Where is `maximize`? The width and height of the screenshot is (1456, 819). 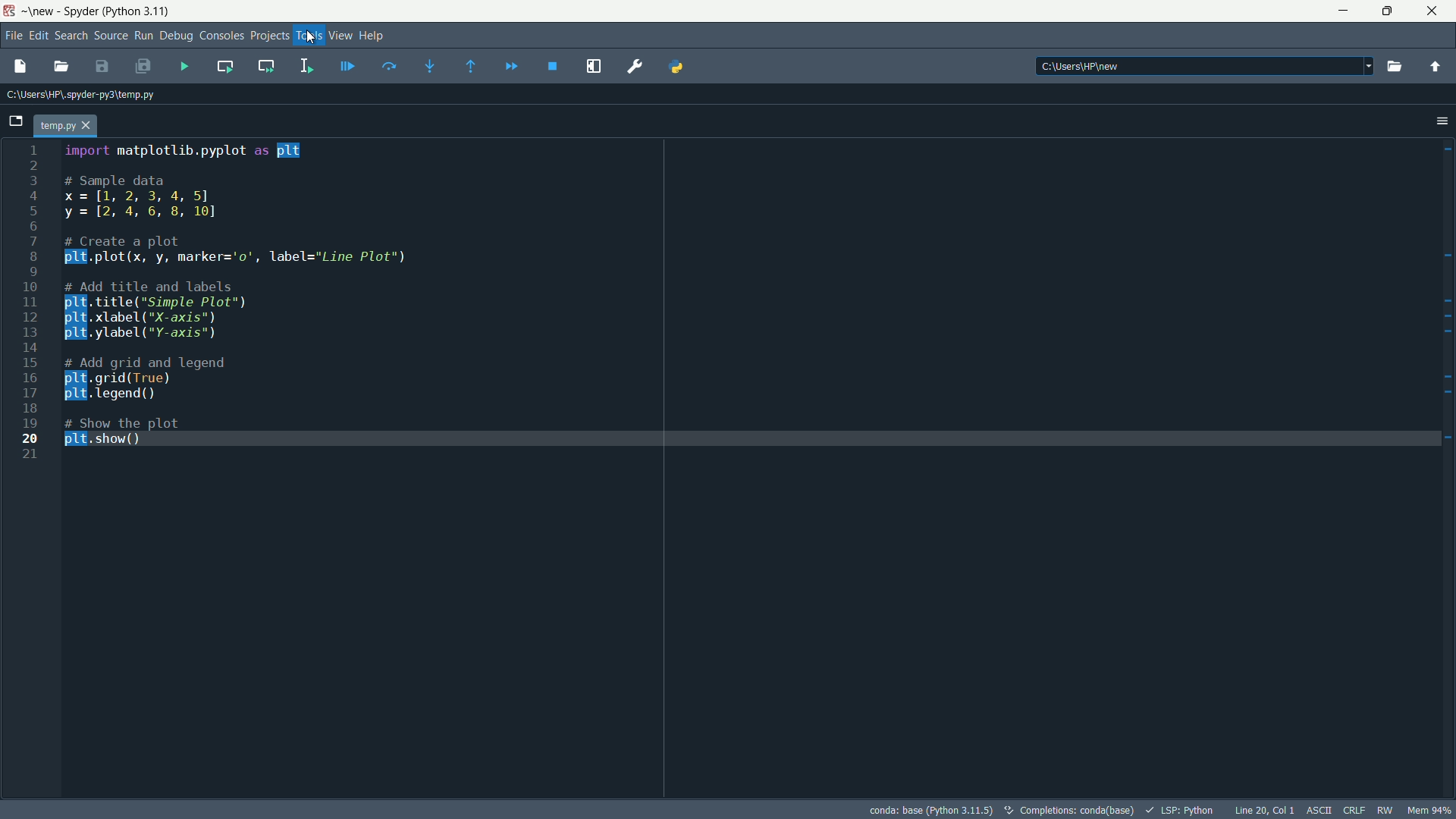 maximize is located at coordinates (1390, 11).